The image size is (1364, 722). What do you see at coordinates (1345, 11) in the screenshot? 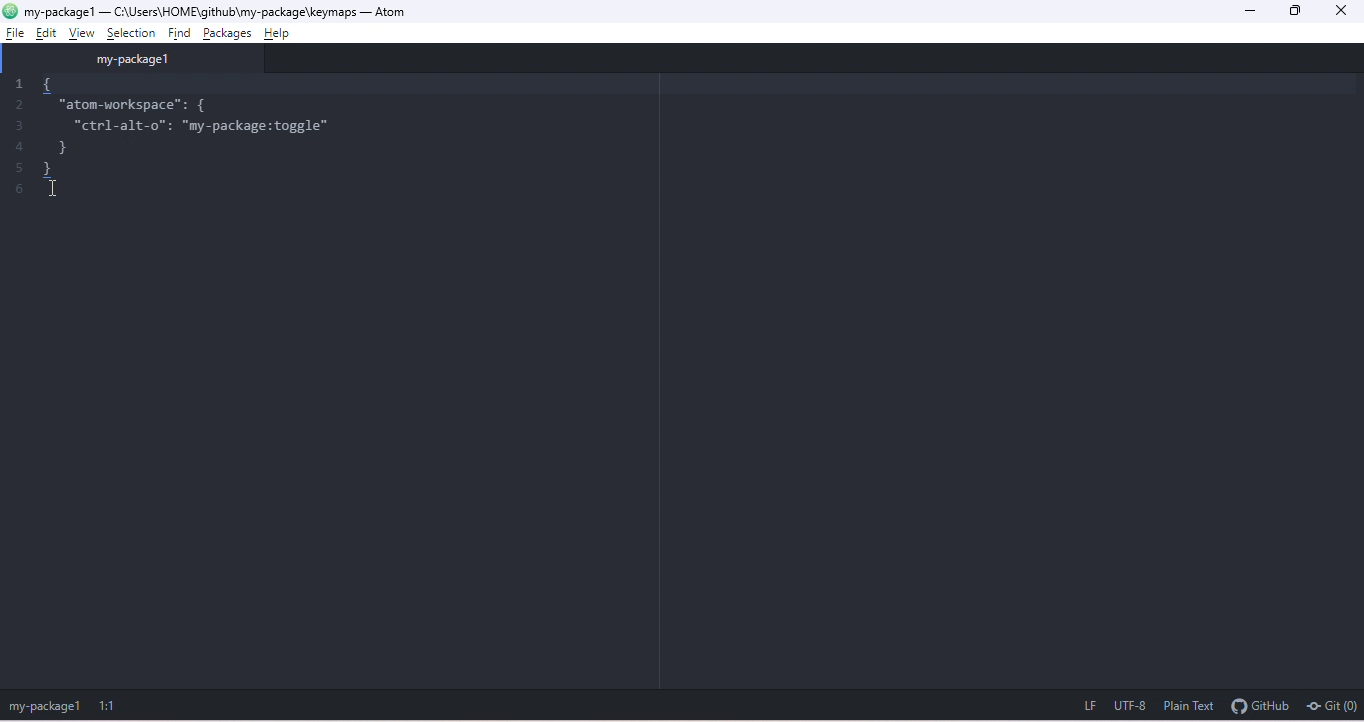
I see `close` at bounding box center [1345, 11].